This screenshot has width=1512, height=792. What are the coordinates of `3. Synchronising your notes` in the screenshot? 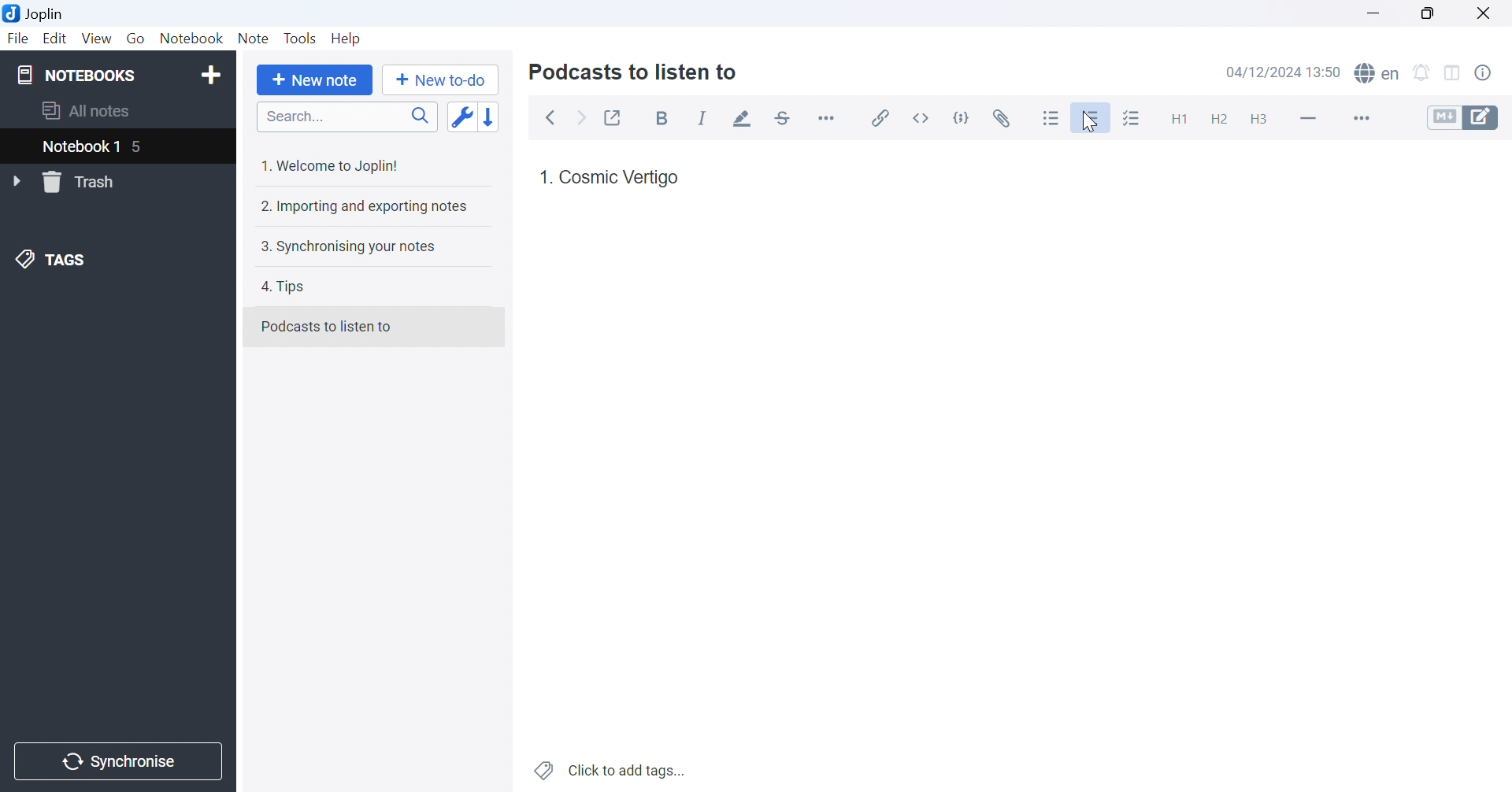 It's located at (348, 249).